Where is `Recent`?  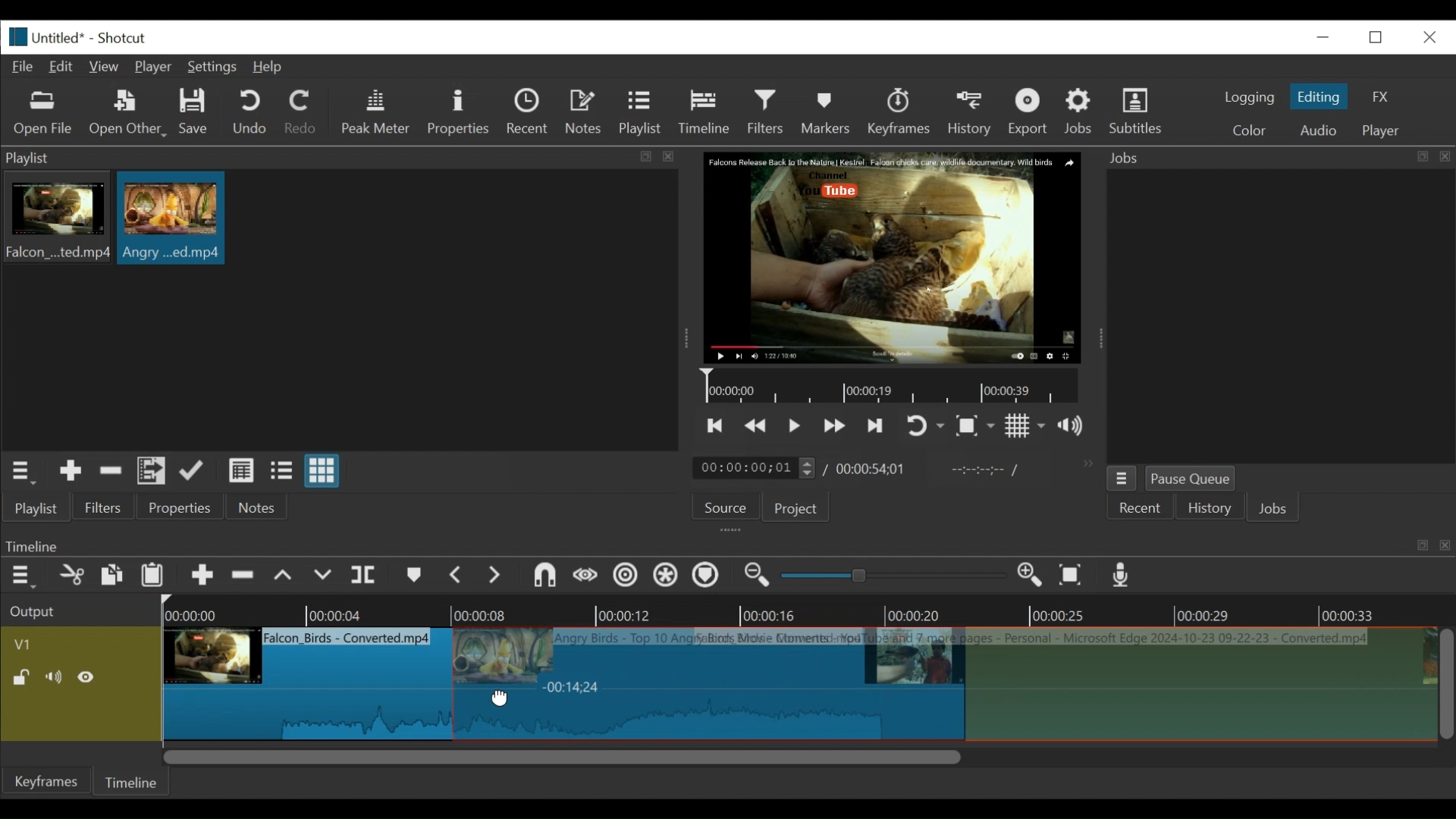 Recent is located at coordinates (1141, 509).